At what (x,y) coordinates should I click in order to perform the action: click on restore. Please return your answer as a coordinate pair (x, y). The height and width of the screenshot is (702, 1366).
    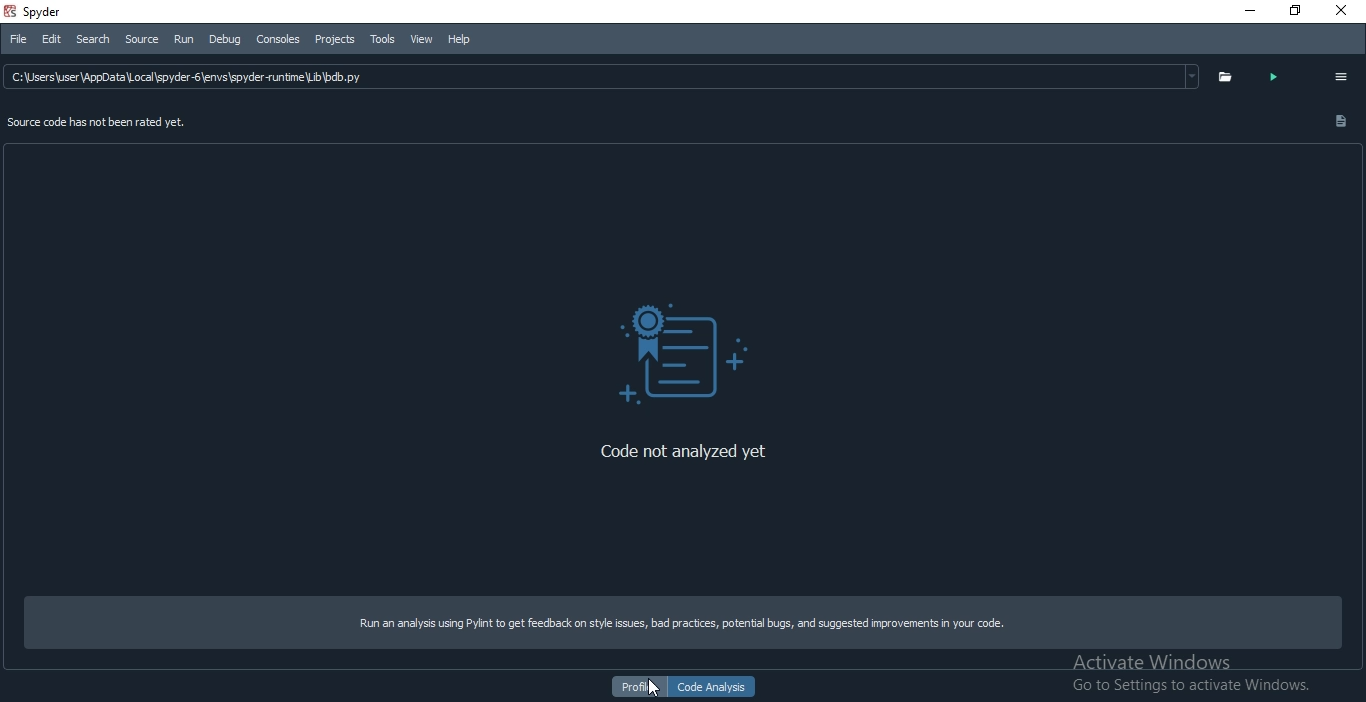
    Looking at the image, I should click on (1294, 12).